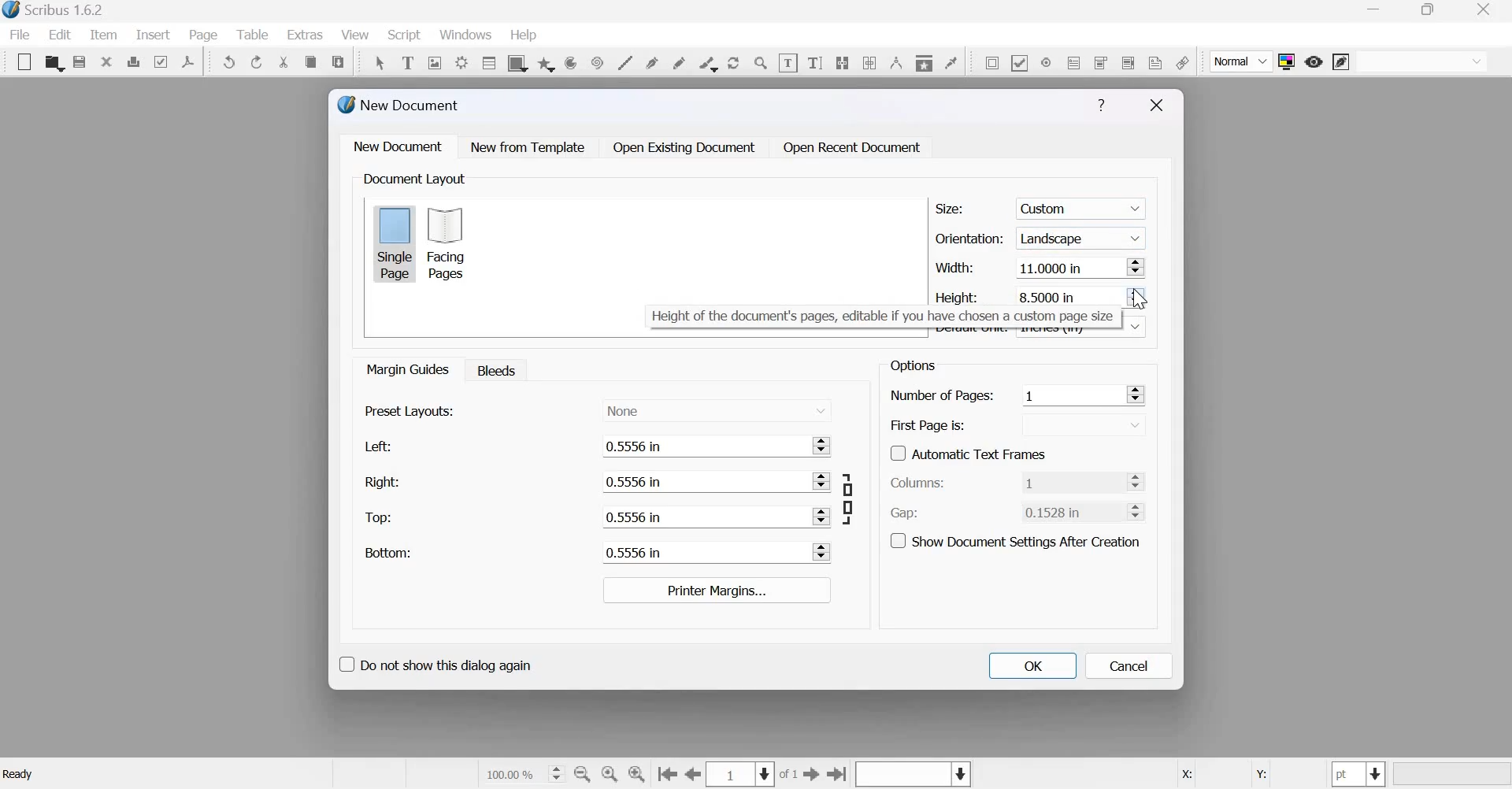 This screenshot has width=1512, height=789. I want to click on paste, so click(339, 60).